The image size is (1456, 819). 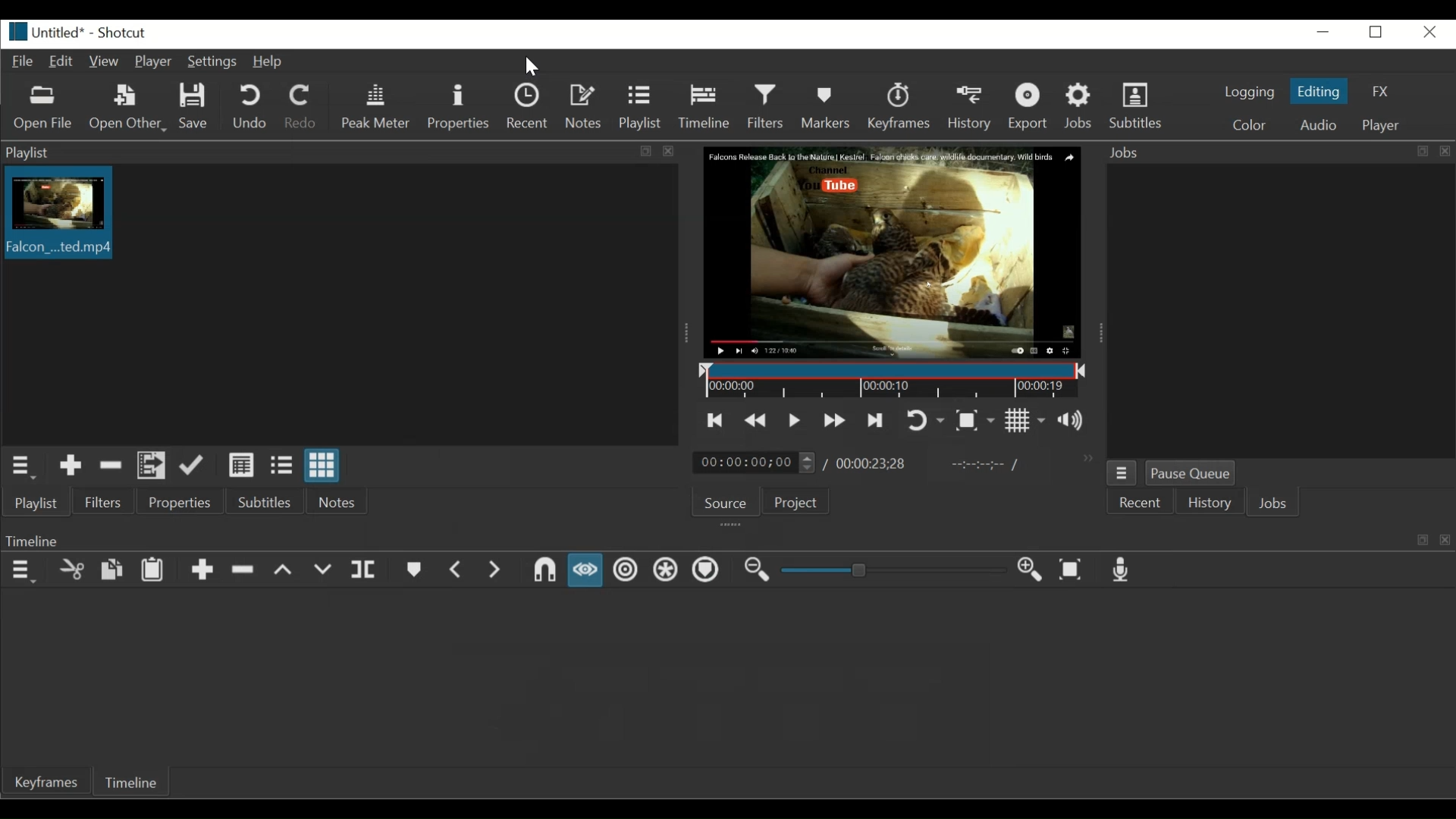 I want to click on Playlist, so click(x=37, y=504).